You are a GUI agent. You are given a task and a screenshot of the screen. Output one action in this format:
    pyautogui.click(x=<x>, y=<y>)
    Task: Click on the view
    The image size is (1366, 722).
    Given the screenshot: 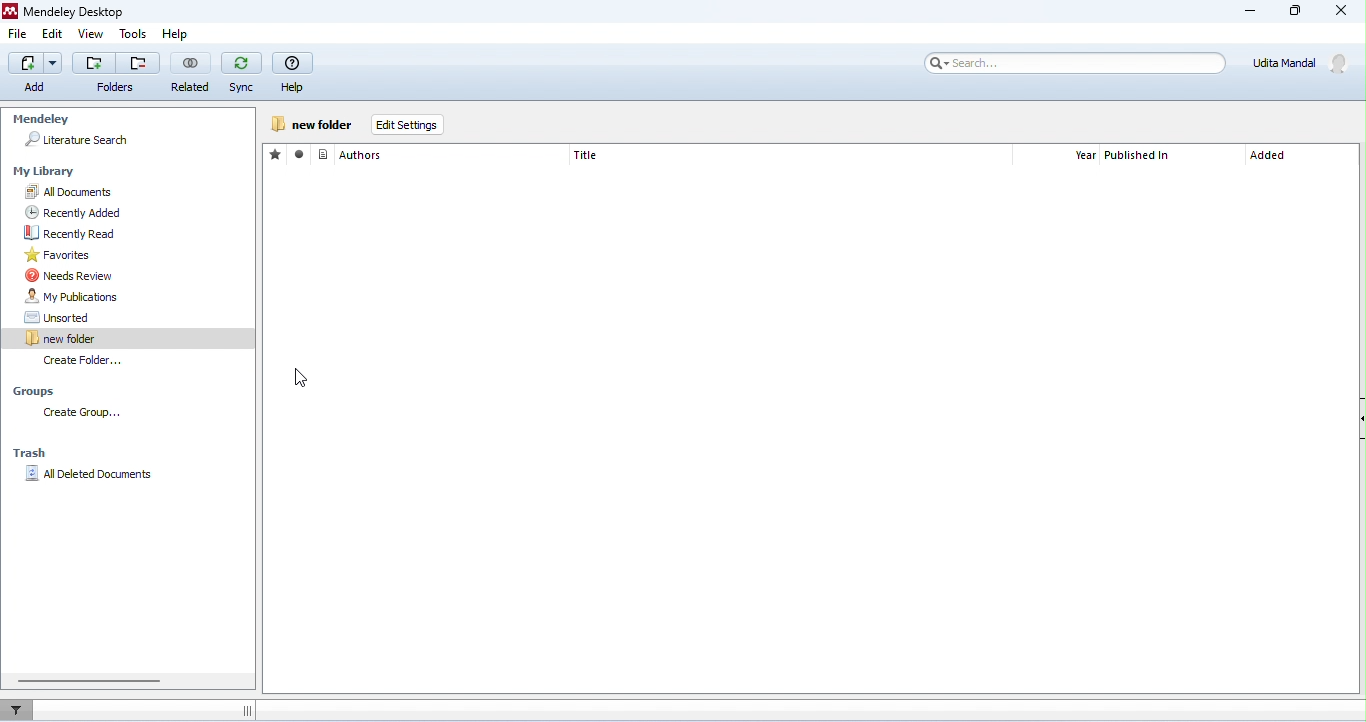 What is the action you would take?
    pyautogui.click(x=90, y=34)
    